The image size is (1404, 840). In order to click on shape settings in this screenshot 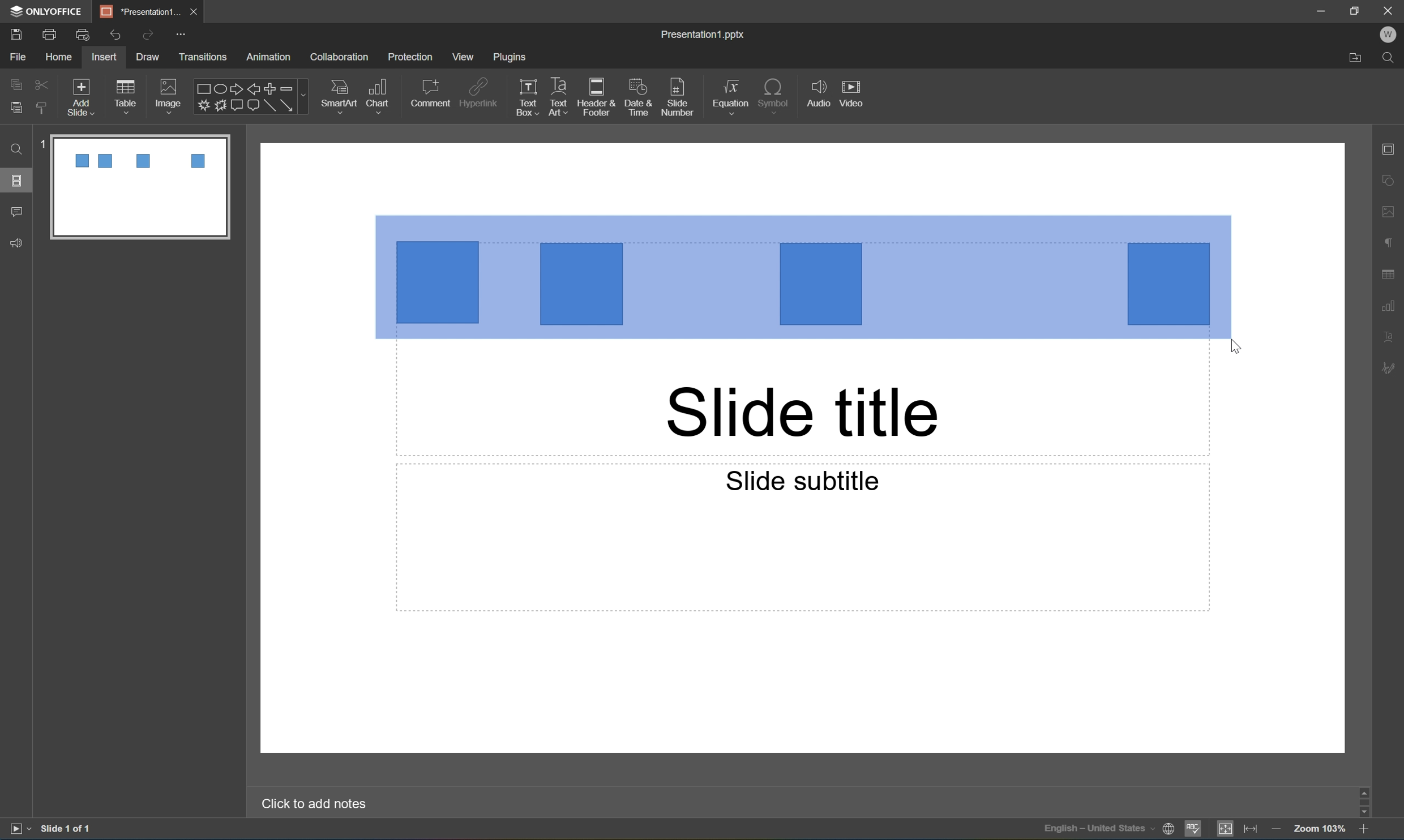, I will do `click(1393, 180)`.